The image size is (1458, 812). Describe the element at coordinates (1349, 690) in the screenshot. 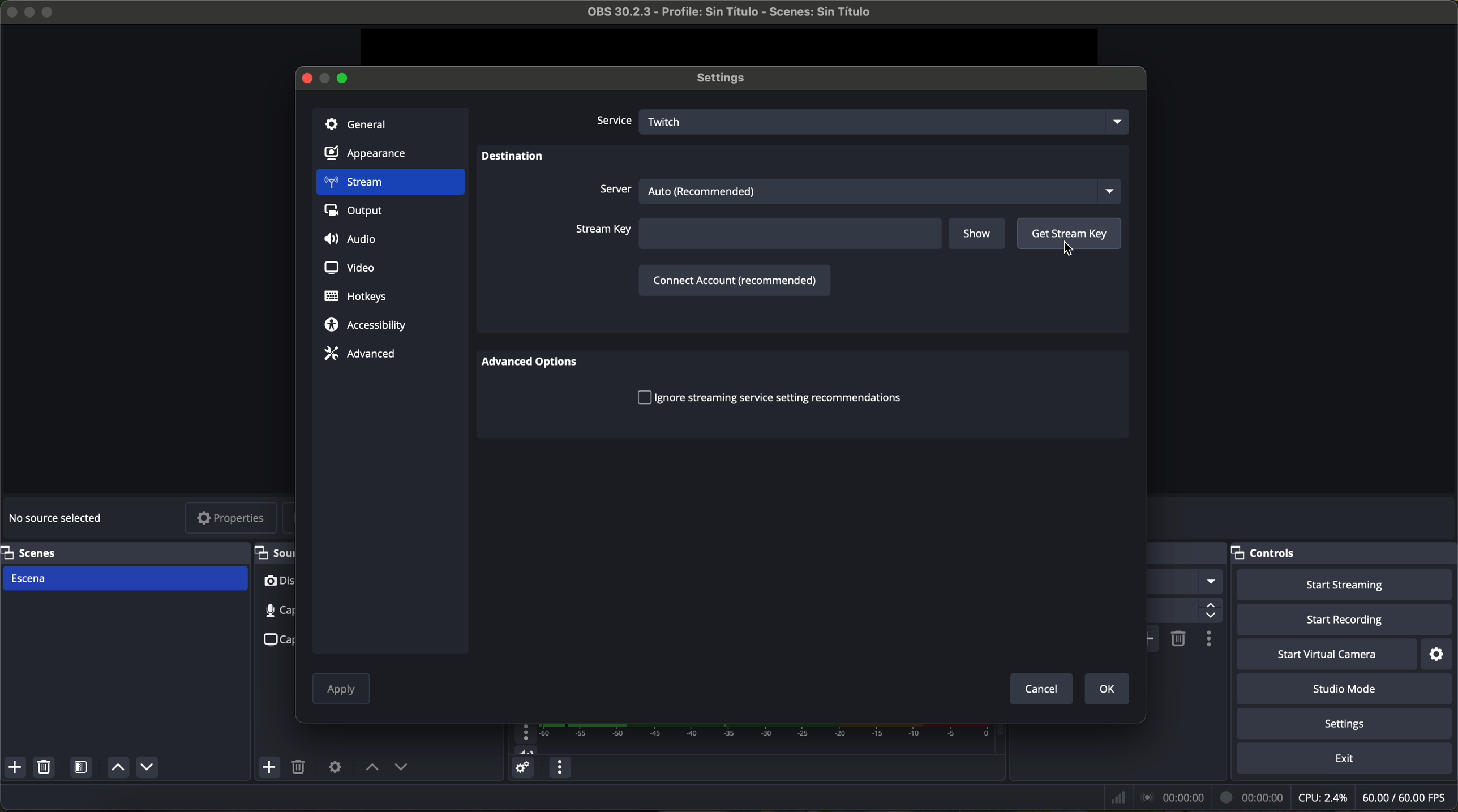

I see `studio mode` at that location.